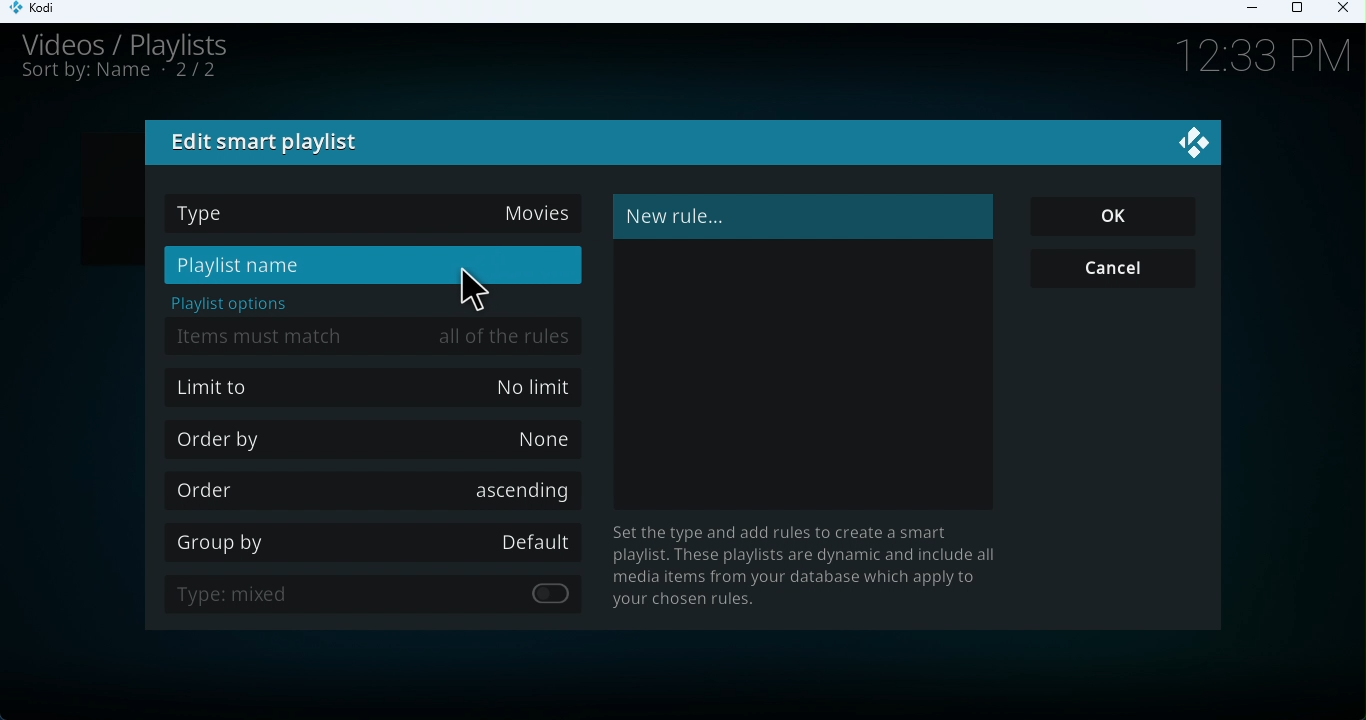  What do you see at coordinates (478, 289) in the screenshot?
I see `Cursor` at bounding box center [478, 289].